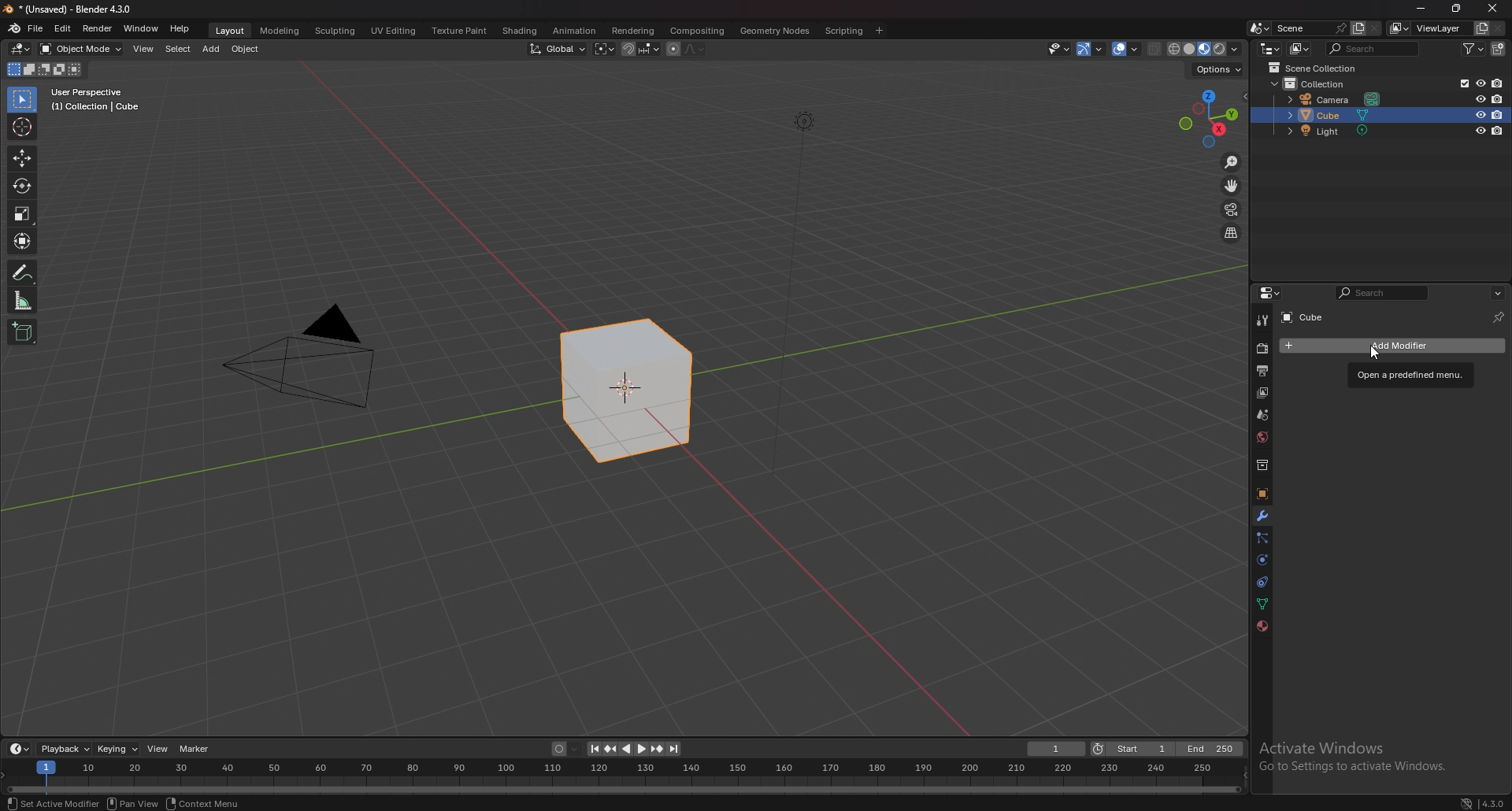 This screenshot has height=811, width=1512. What do you see at coordinates (1057, 749) in the screenshot?
I see `current frame` at bounding box center [1057, 749].